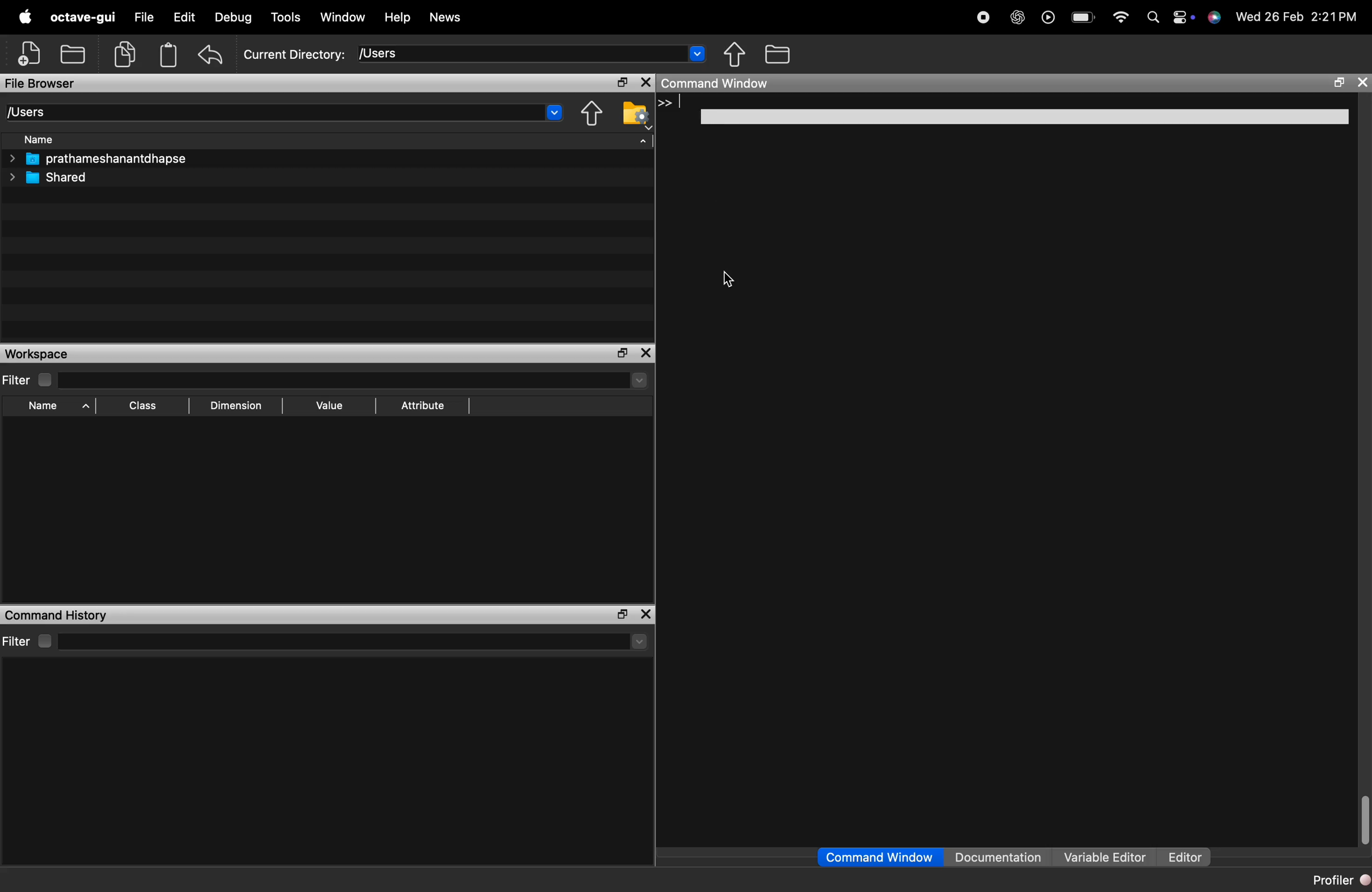 The height and width of the screenshot is (892, 1372). What do you see at coordinates (1152, 17) in the screenshot?
I see `search` at bounding box center [1152, 17].